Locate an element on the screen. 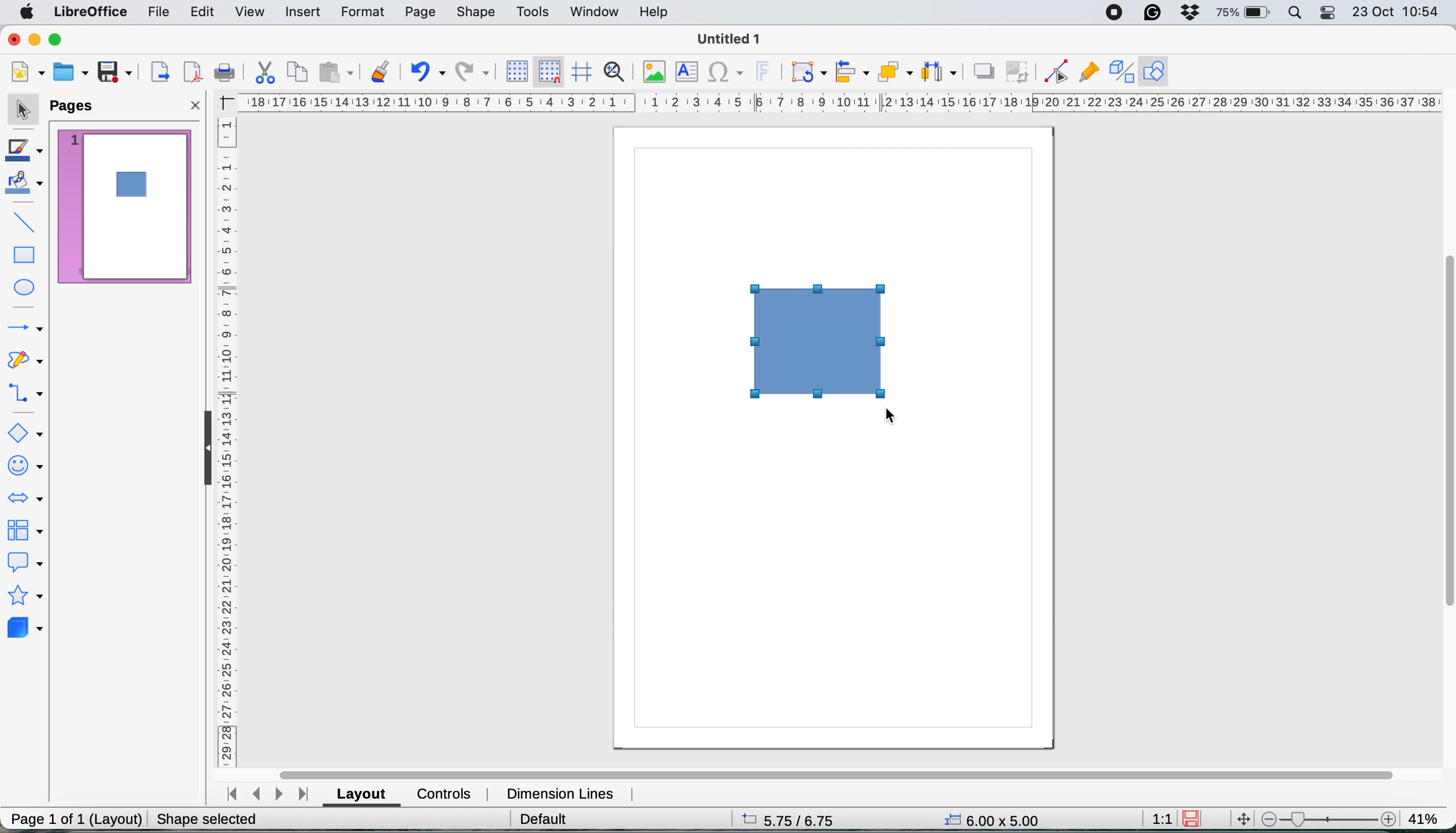 This screenshot has width=1456, height=833. basic shapes is located at coordinates (27, 431).